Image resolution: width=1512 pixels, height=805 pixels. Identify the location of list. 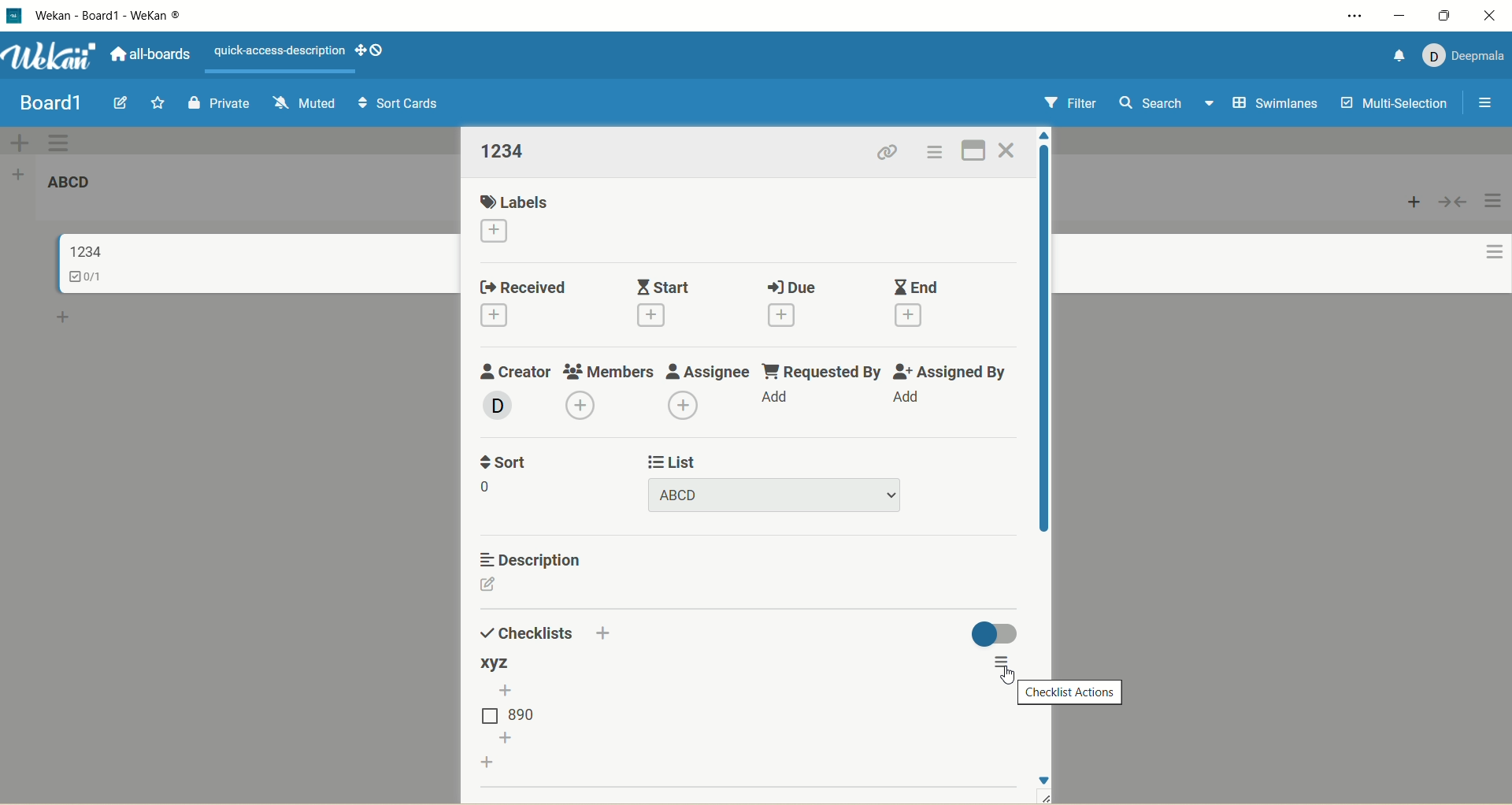
(516, 713).